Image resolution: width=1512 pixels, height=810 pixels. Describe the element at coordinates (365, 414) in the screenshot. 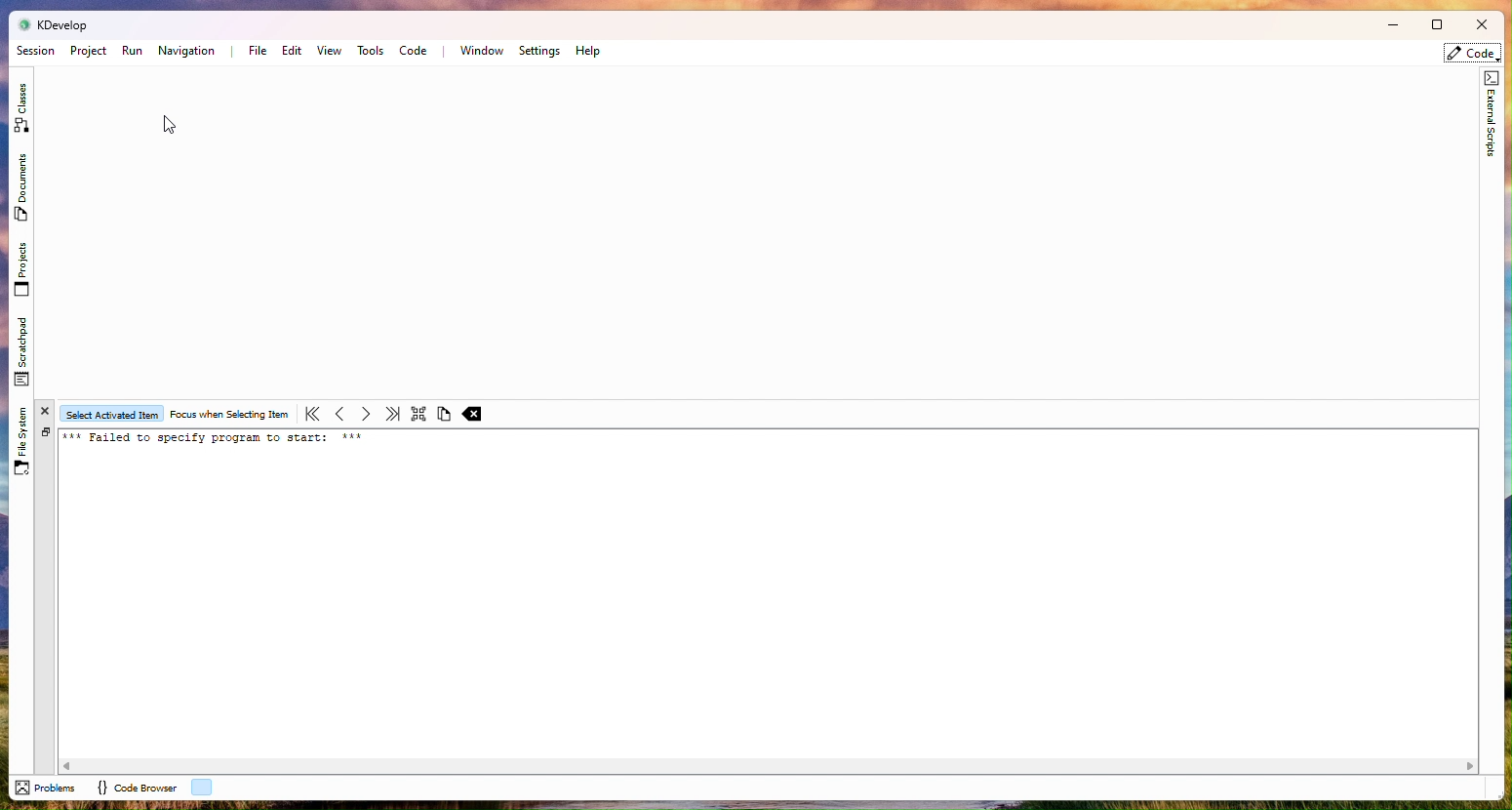

I see `Next item` at that location.